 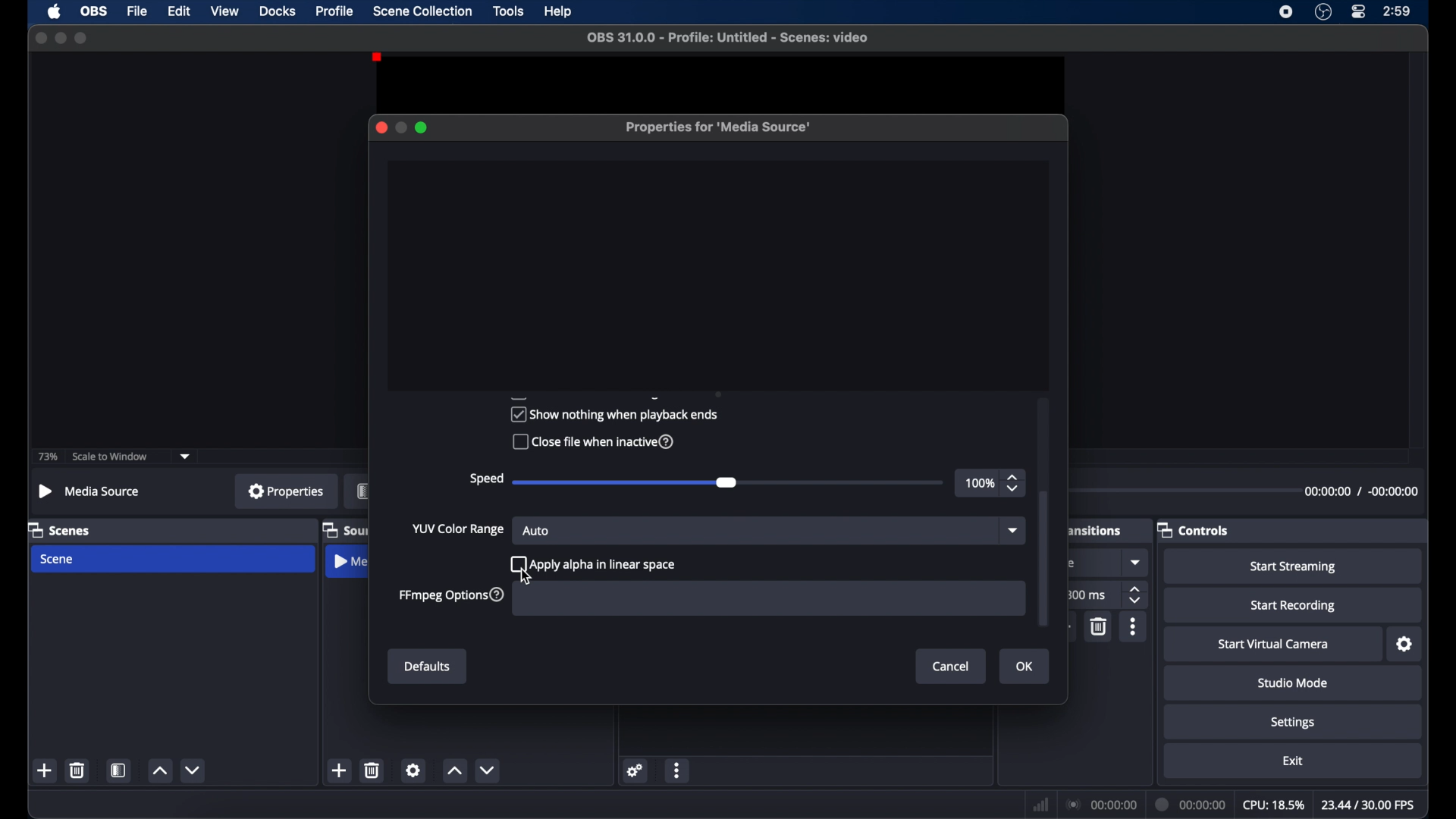 What do you see at coordinates (635, 771) in the screenshot?
I see `settings` at bounding box center [635, 771].